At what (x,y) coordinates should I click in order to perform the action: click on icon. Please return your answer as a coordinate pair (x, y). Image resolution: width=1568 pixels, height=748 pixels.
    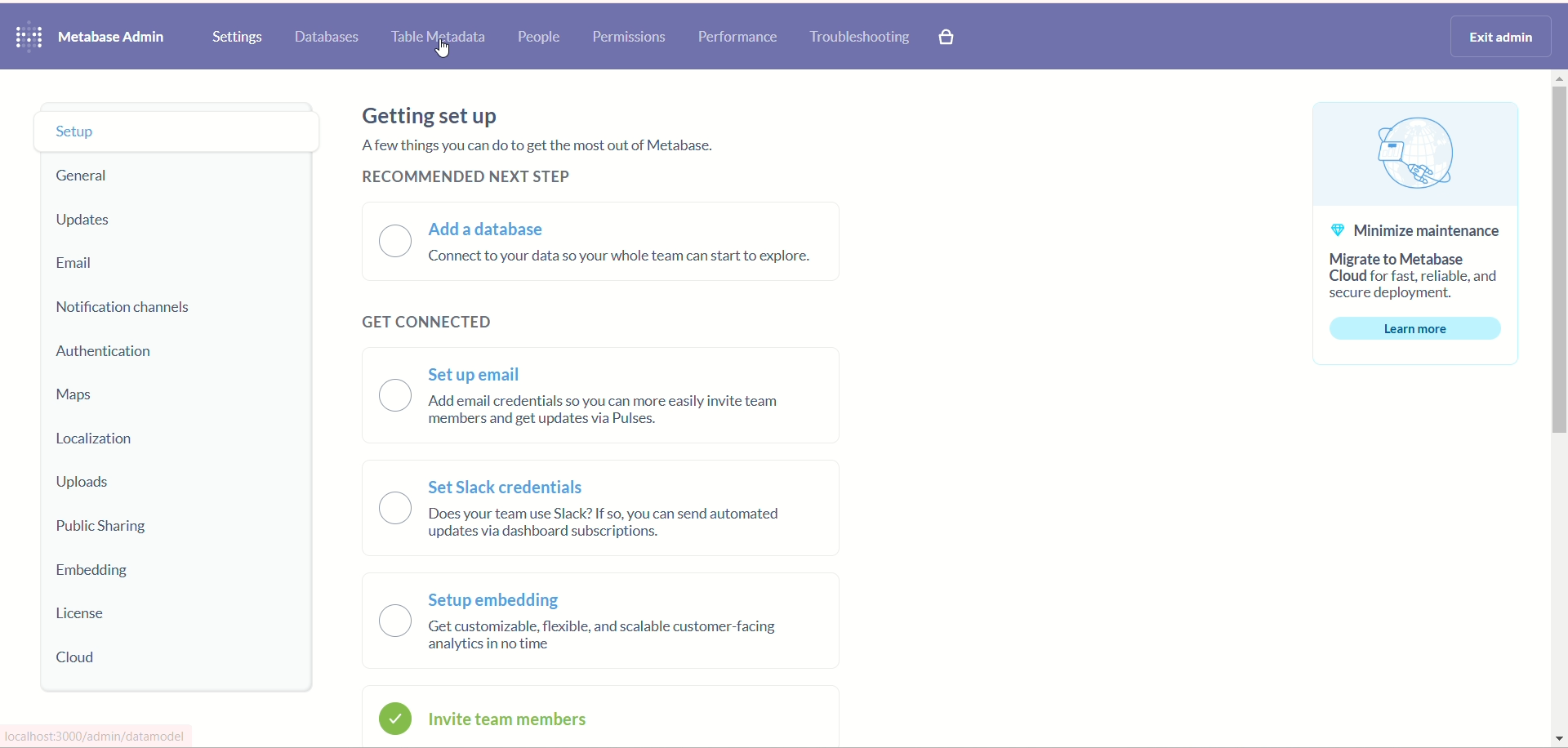
    Looking at the image, I should click on (395, 718).